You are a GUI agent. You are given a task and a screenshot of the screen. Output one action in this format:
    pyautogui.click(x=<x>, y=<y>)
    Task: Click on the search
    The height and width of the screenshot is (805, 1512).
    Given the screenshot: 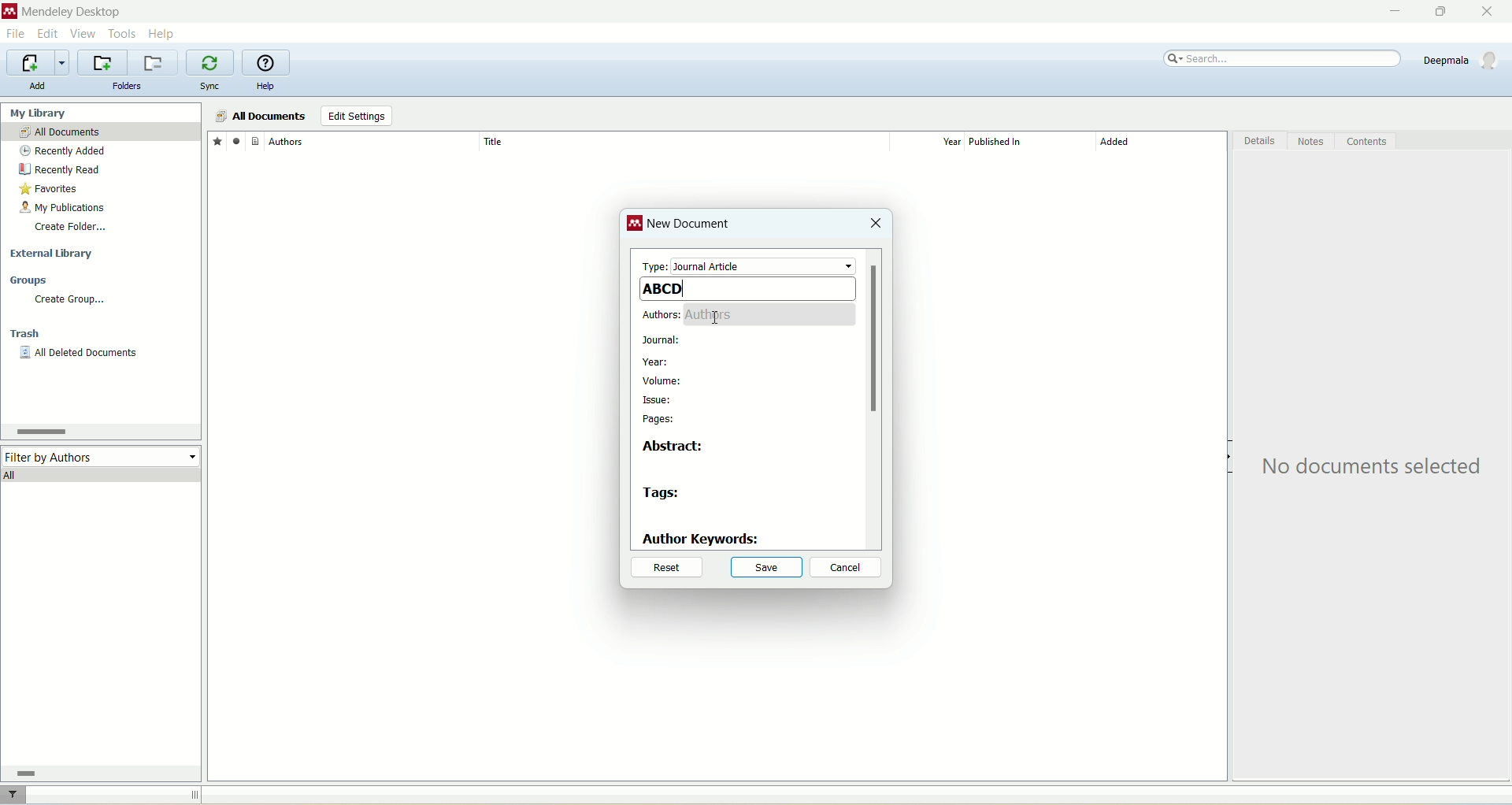 What is the action you would take?
    pyautogui.click(x=1284, y=59)
    